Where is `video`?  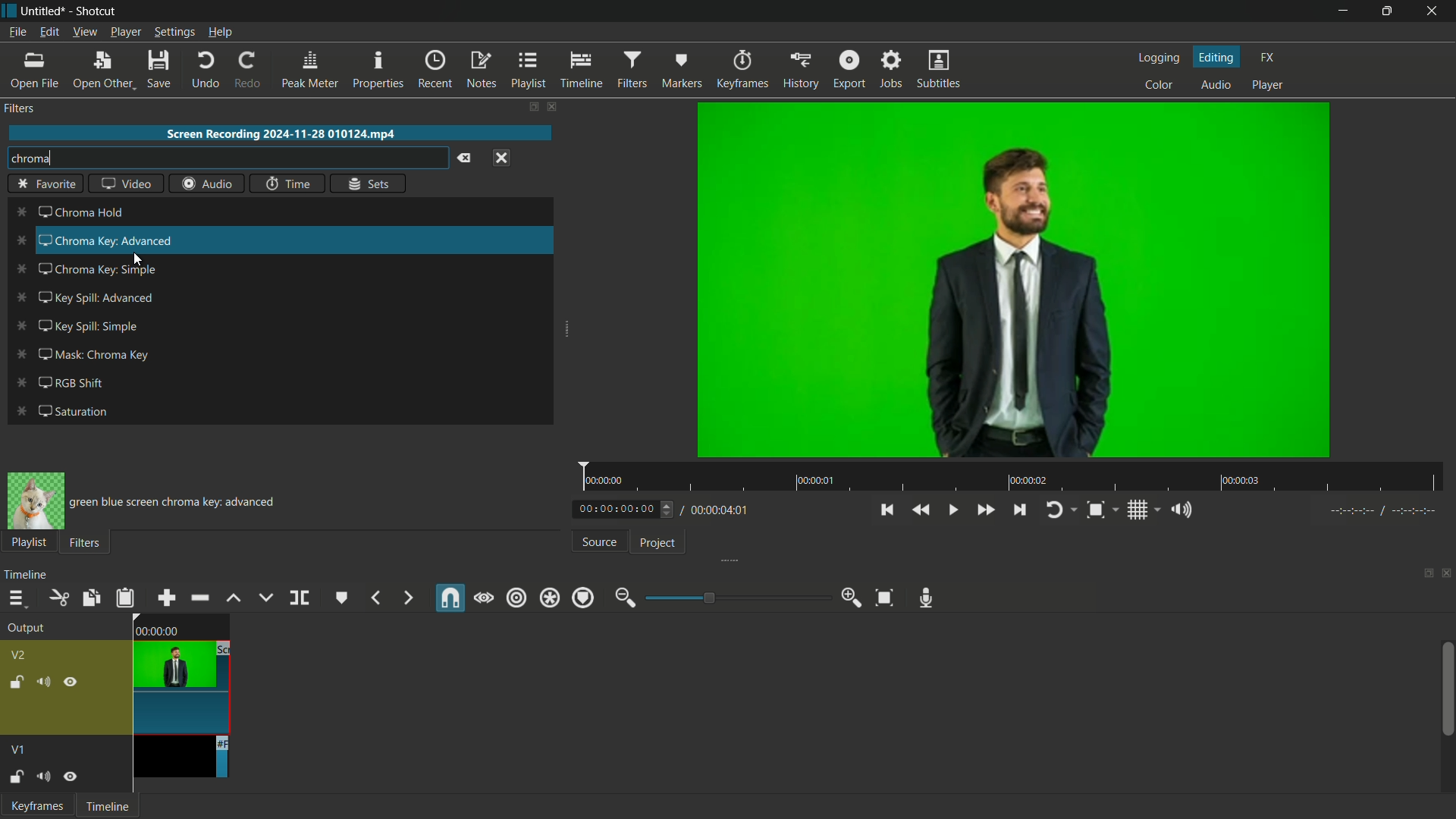 video is located at coordinates (126, 182).